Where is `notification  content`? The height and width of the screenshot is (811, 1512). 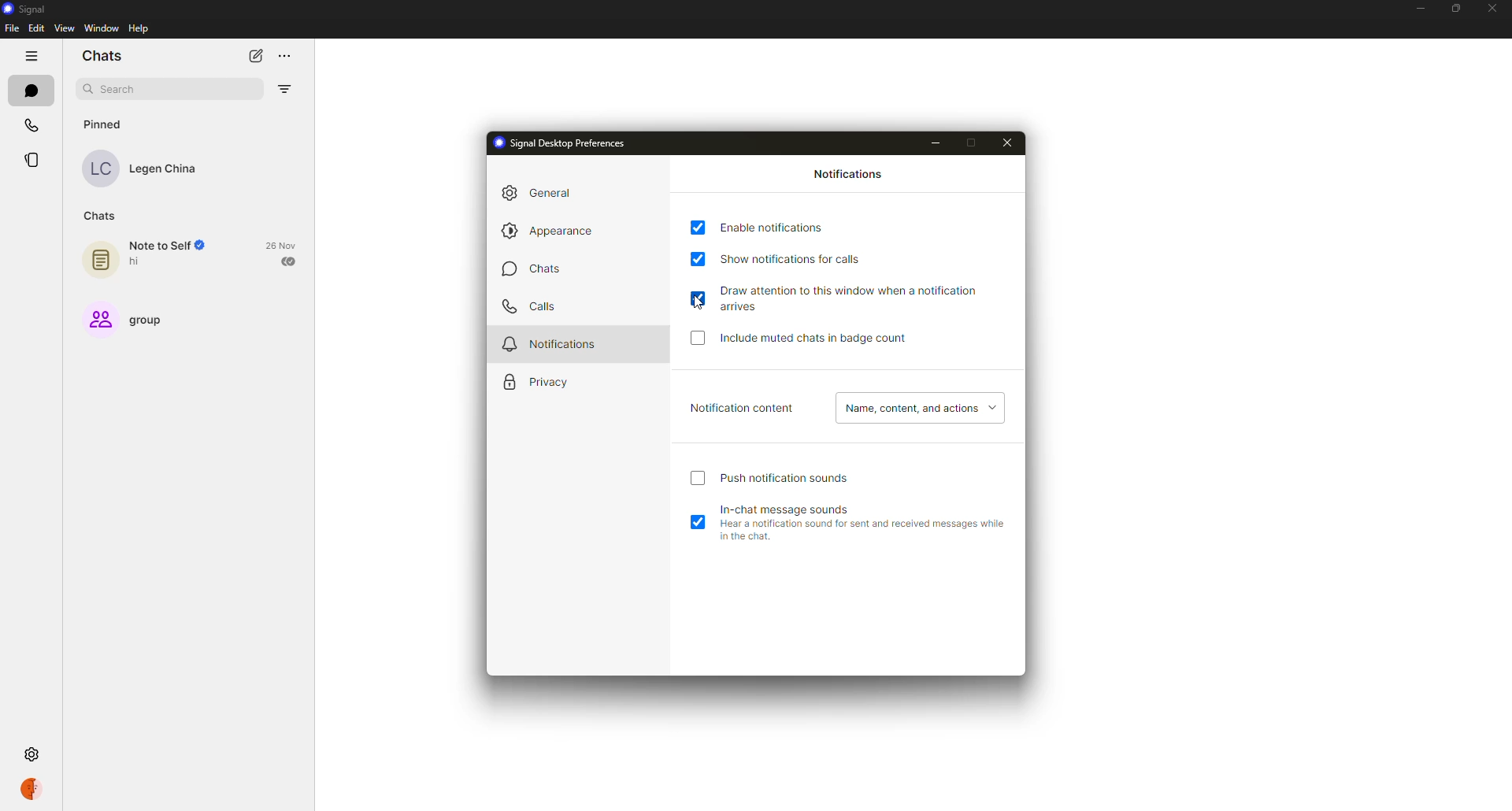
notification  content is located at coordinates (743, 409).